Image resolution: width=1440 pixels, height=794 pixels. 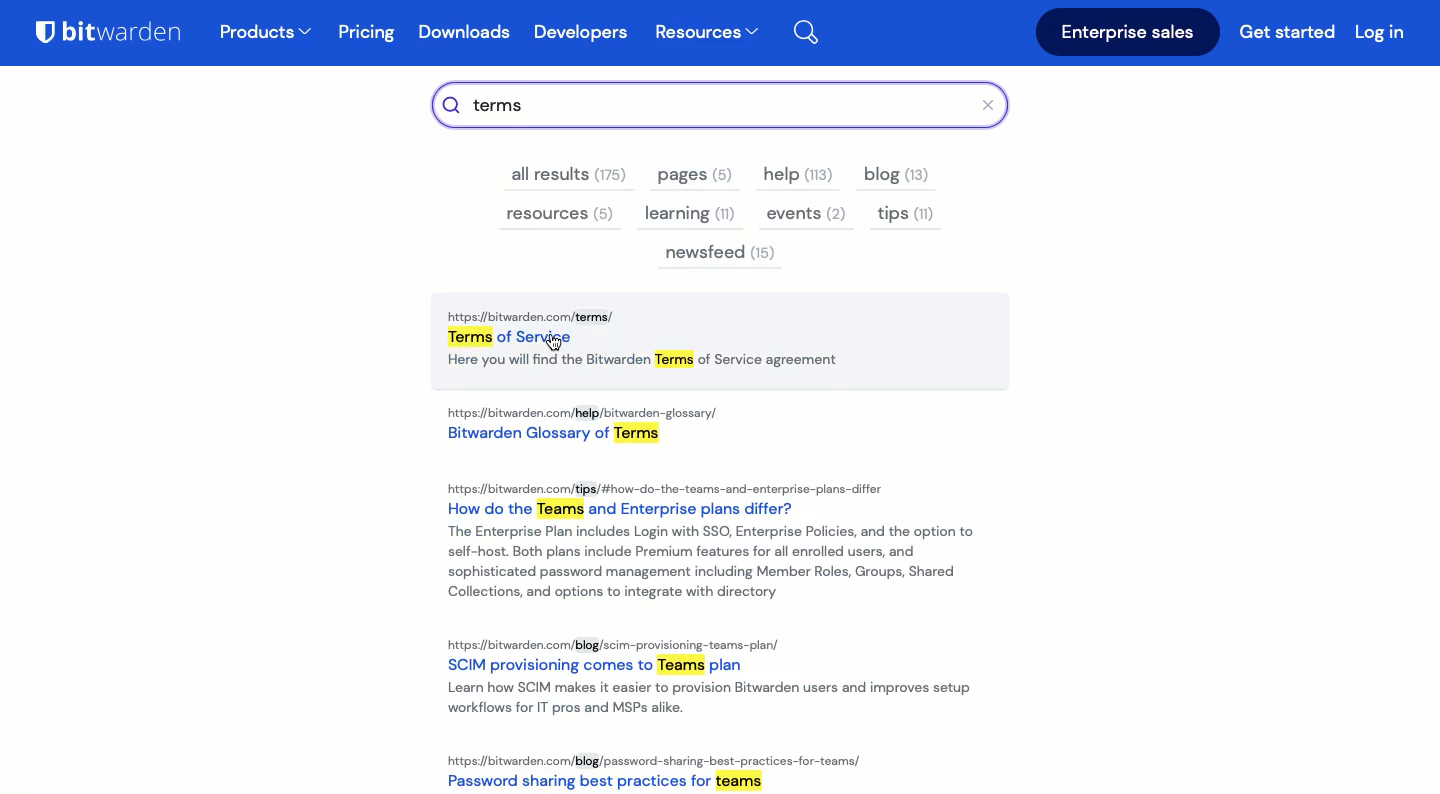 What do you see at coordinates (368, 33) in the screenshot?
I see `Pricing` at bounding box center [368, 33].